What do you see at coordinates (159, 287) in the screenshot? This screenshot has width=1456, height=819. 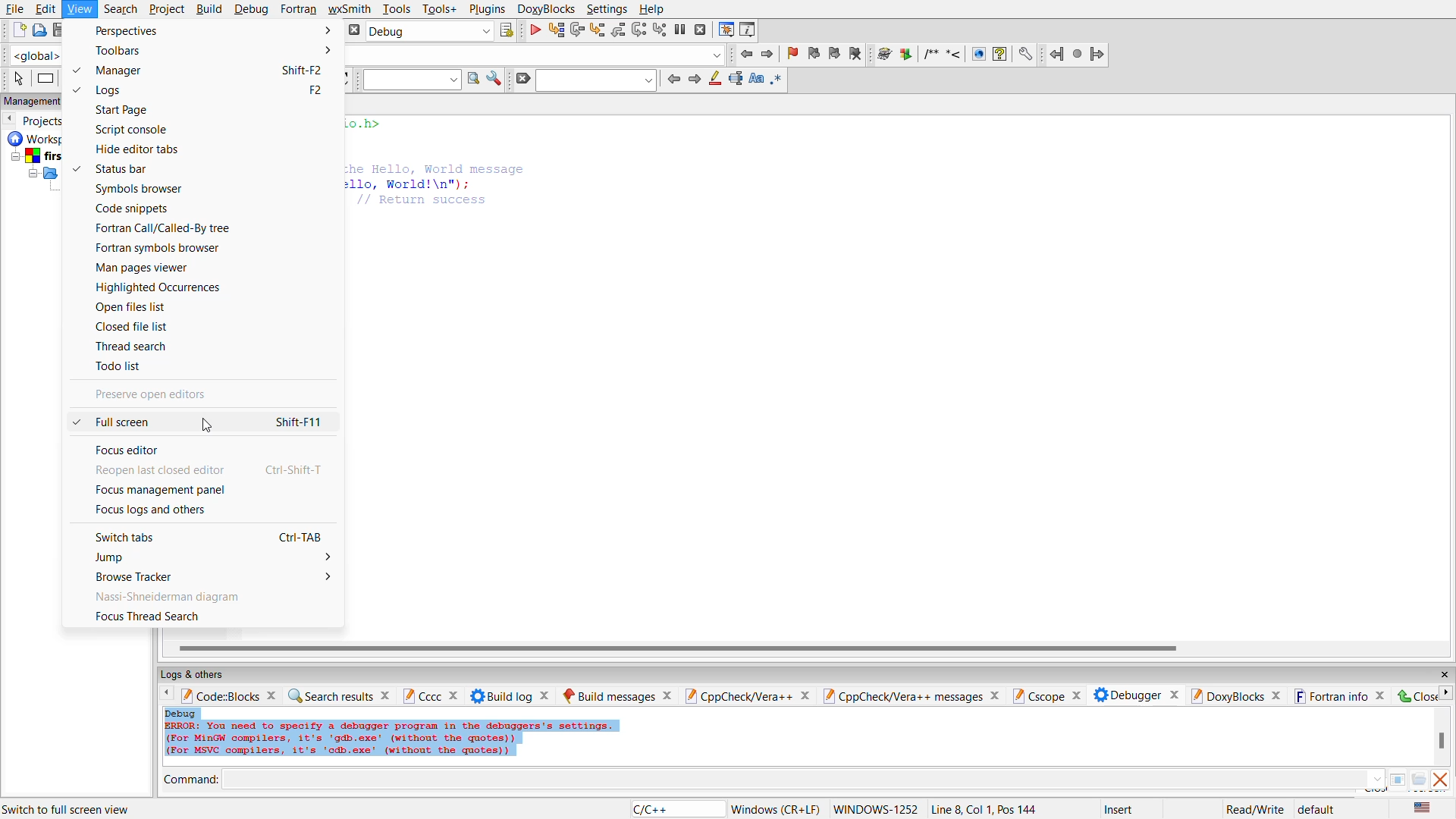 I see `highlighted occurences` at bounding box center [159, 287].